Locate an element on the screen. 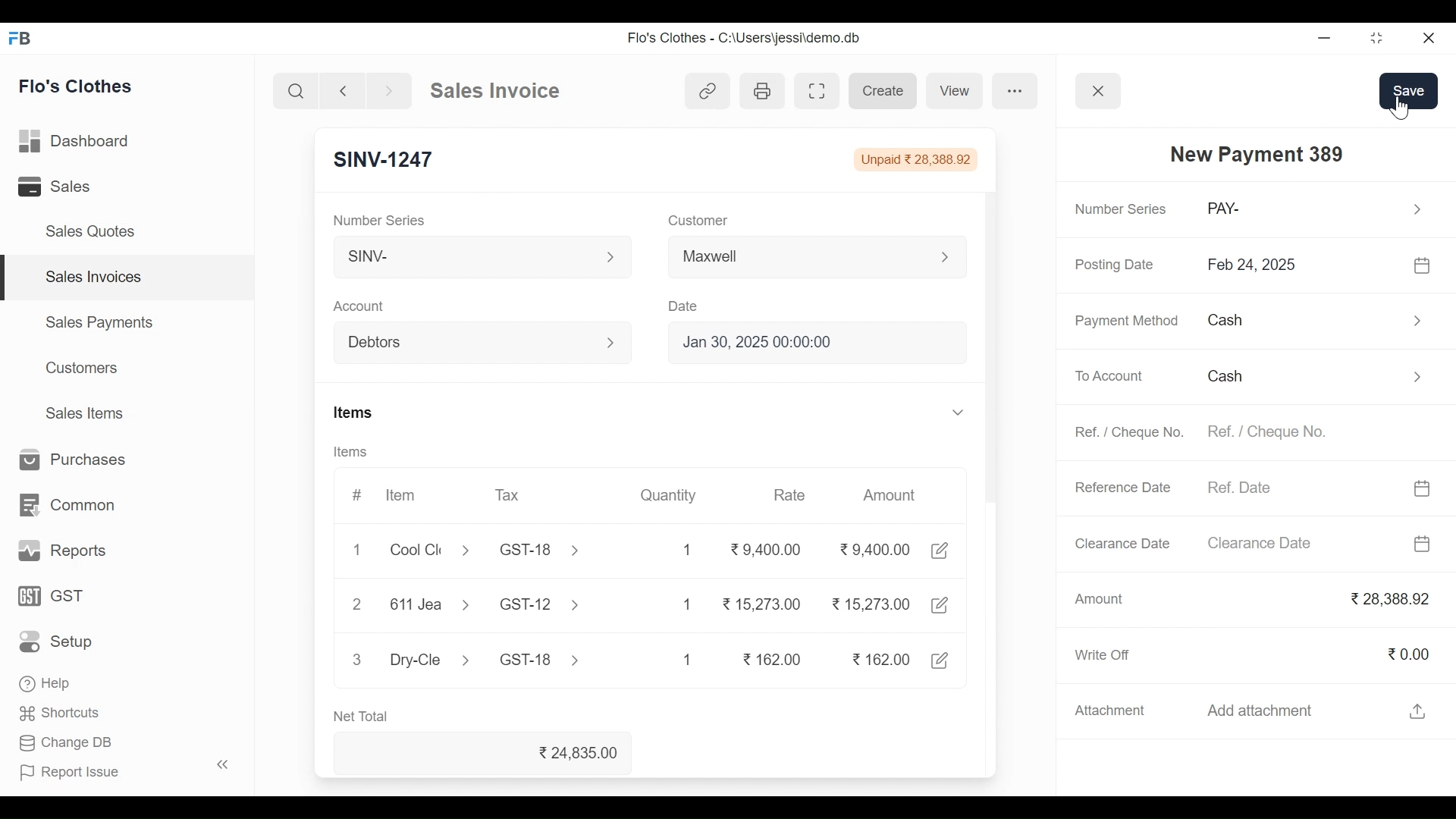  Shortcuts is located at coordinates (61, 716).